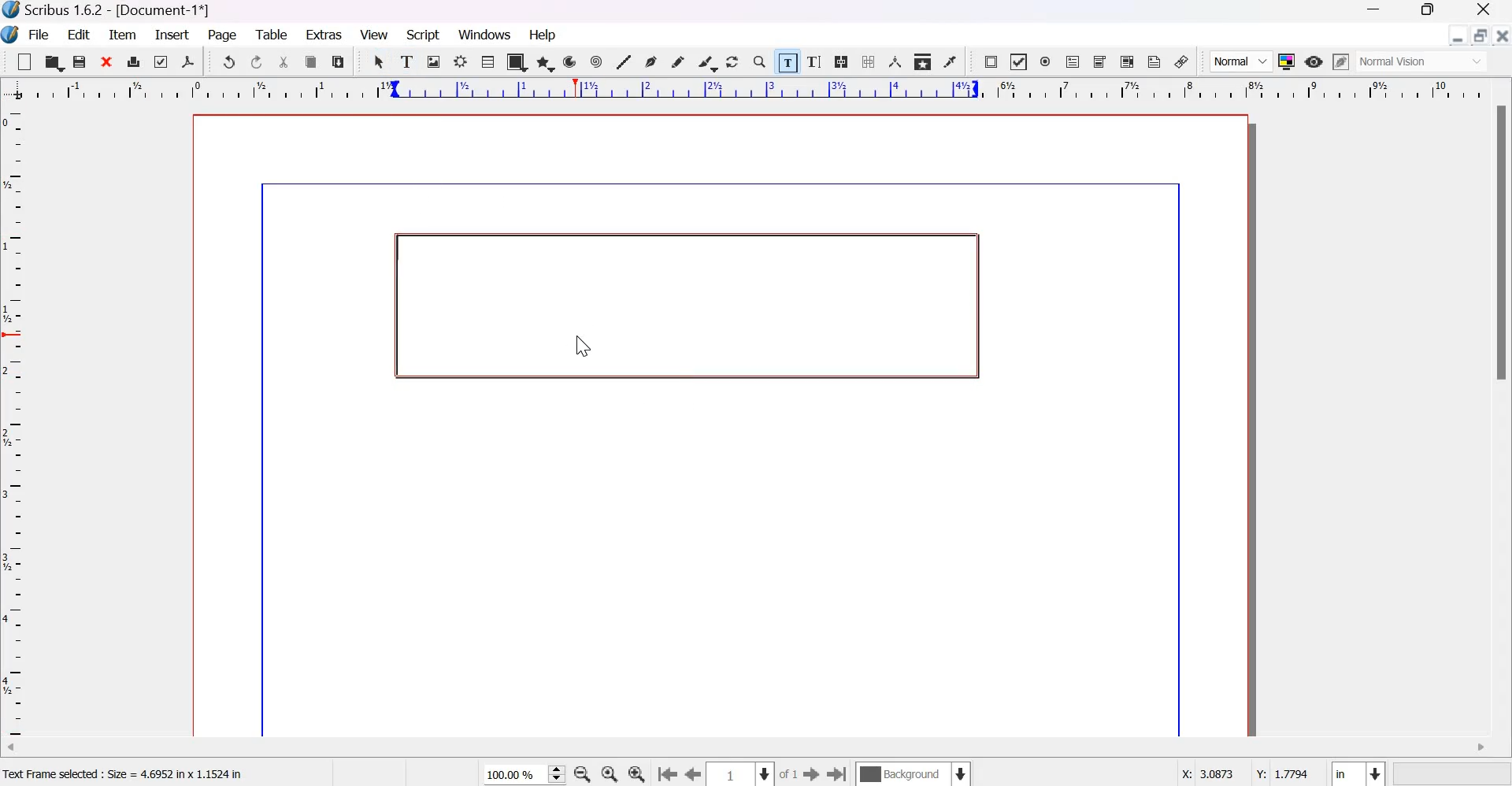 The image size is (1512, 786). What do you see at coordinates (545, 35) in the screenshot?
I see `Help` at bounding box center [545, 35].